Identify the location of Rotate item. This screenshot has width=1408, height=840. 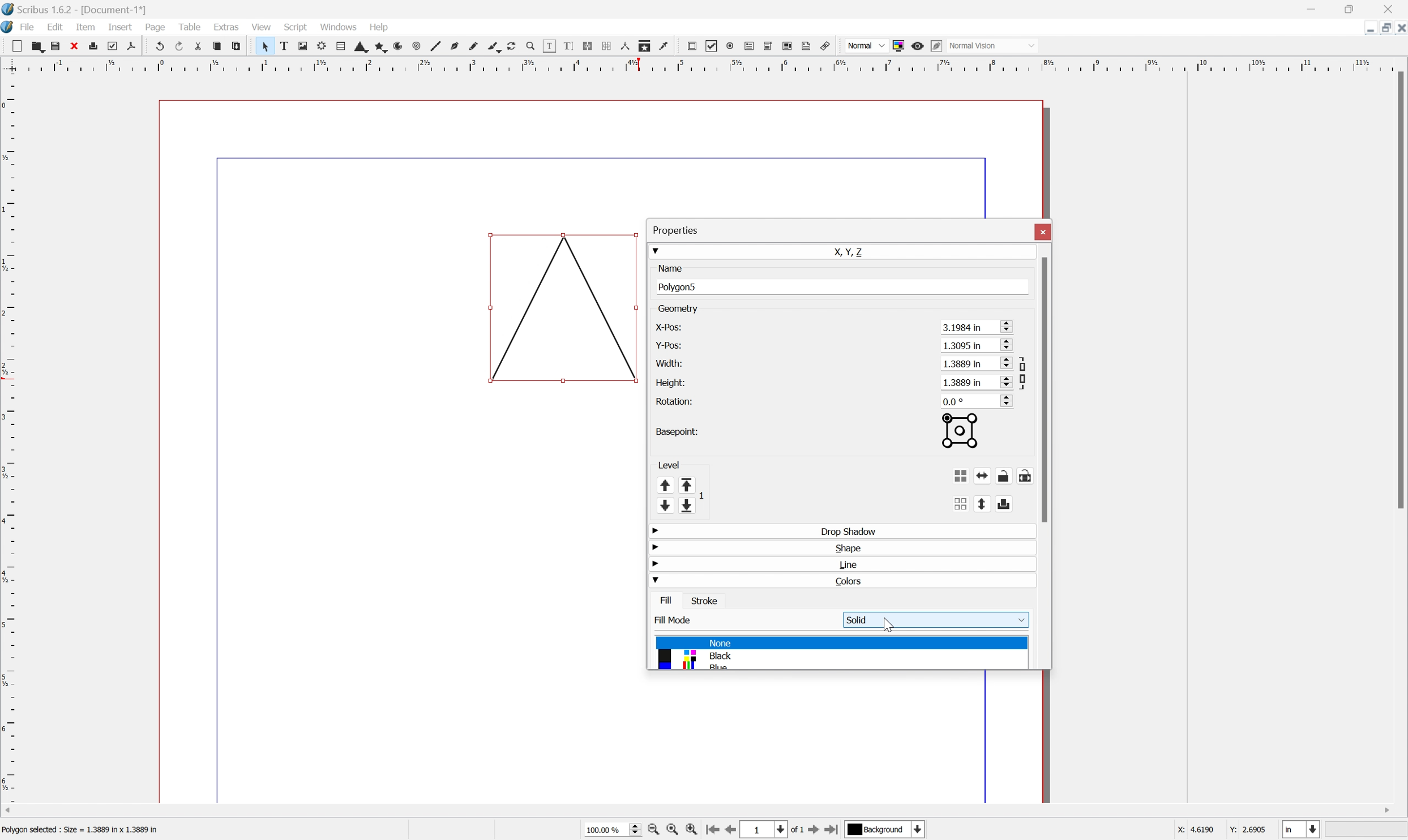
(515, 46).